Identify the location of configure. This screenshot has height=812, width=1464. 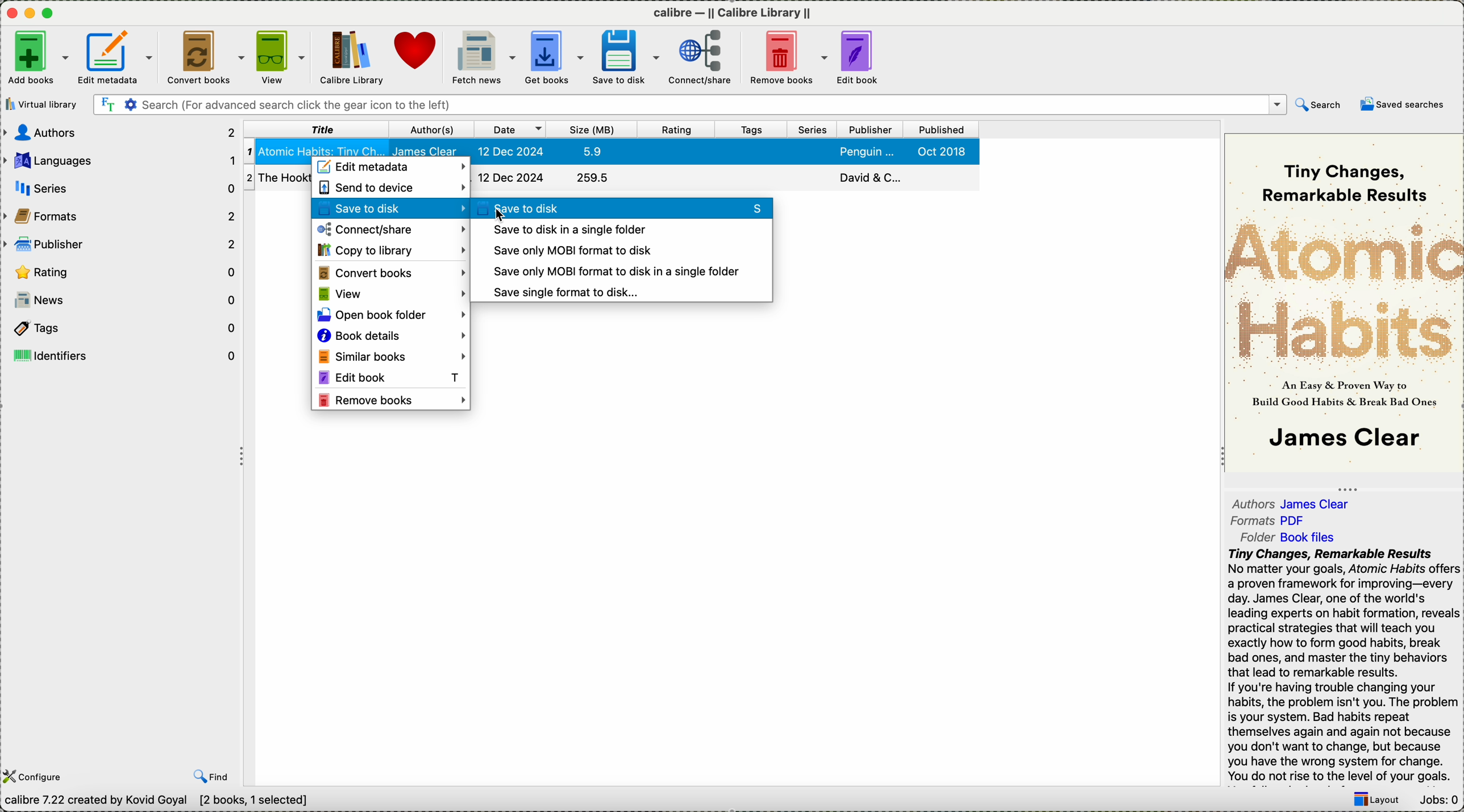
(36, 776).